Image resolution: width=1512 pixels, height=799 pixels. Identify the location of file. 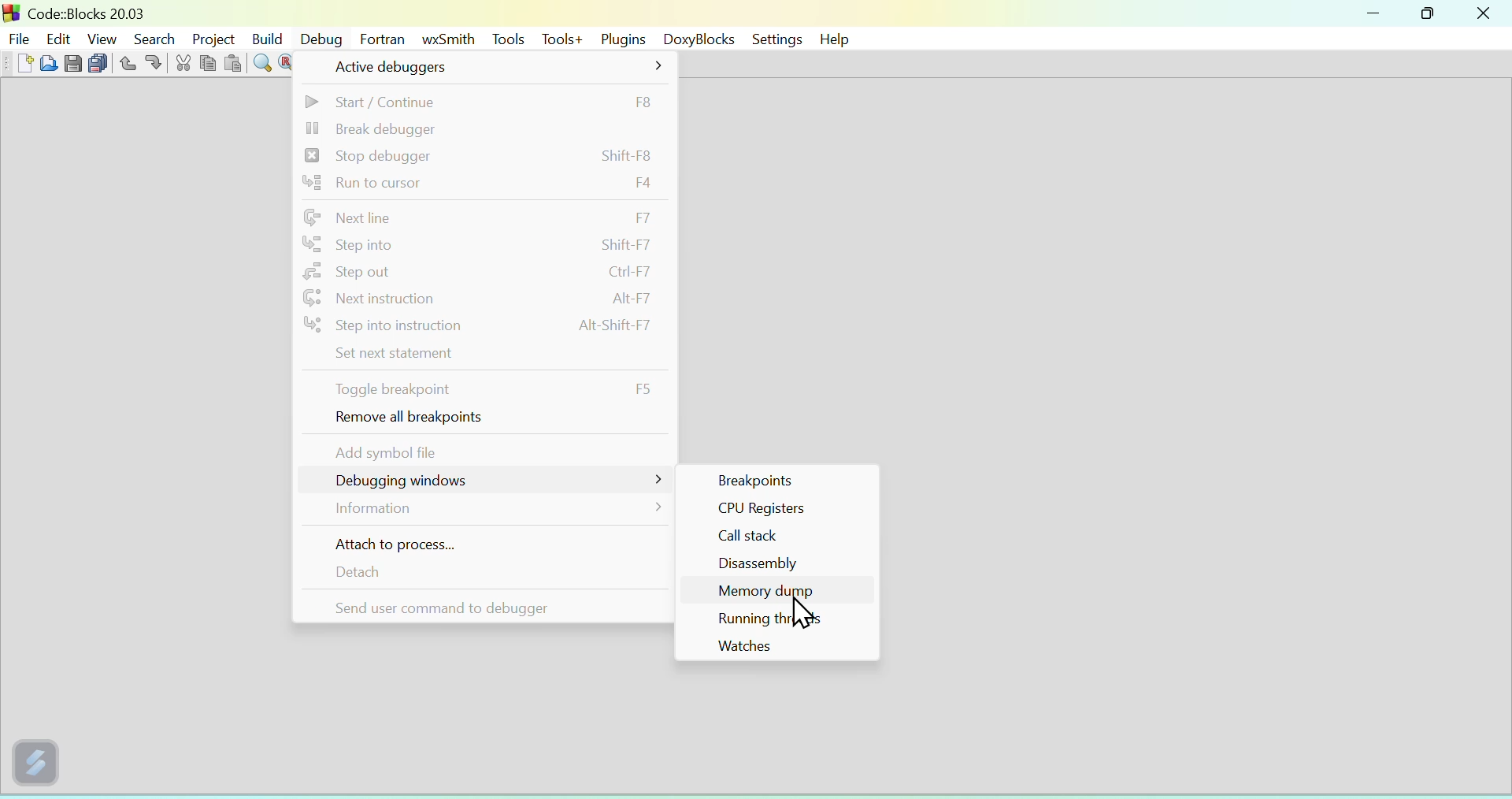
(19, 36).